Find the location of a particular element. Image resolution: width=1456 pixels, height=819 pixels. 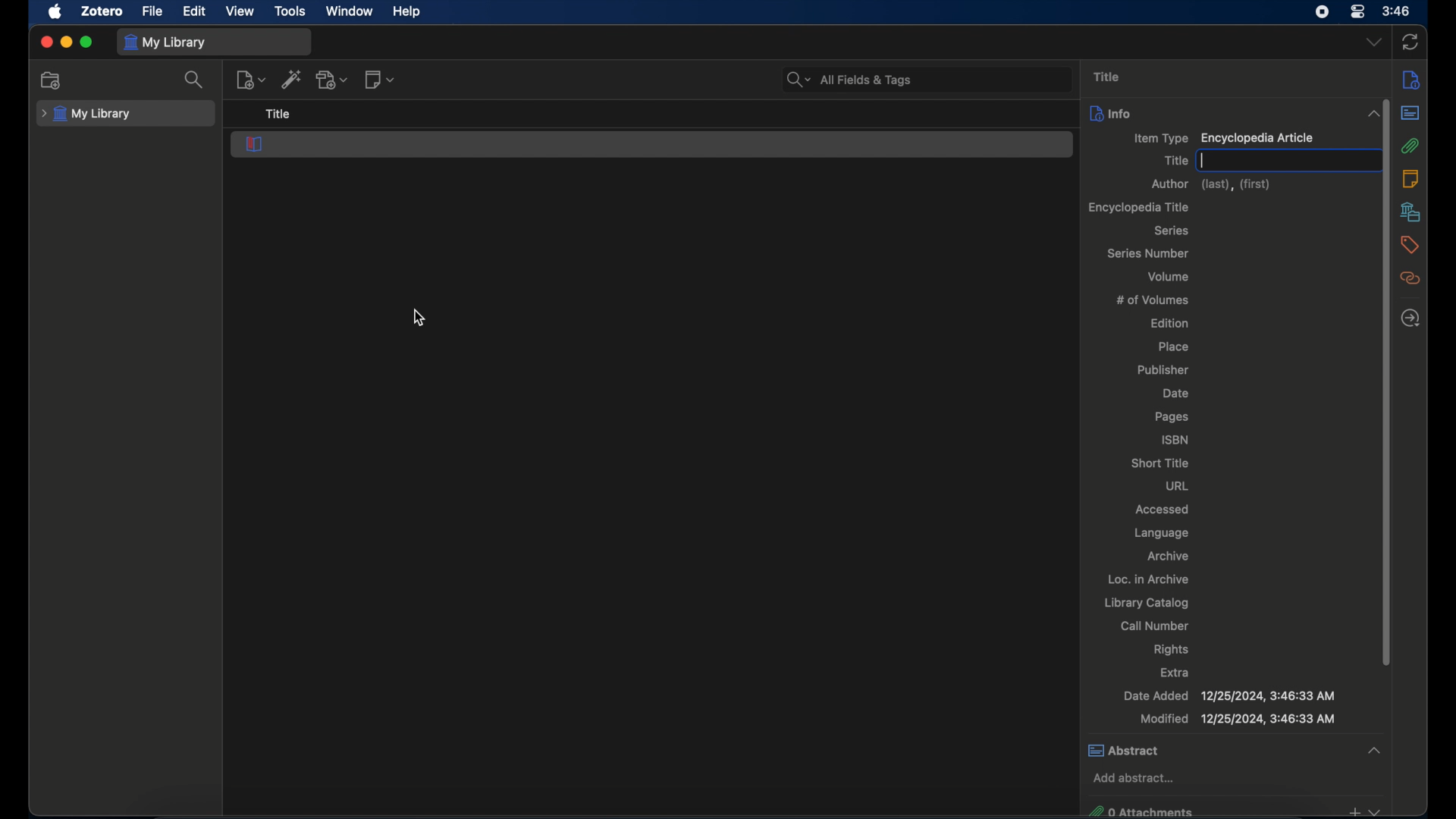

library catalog is located at coordinates (1146, 603).